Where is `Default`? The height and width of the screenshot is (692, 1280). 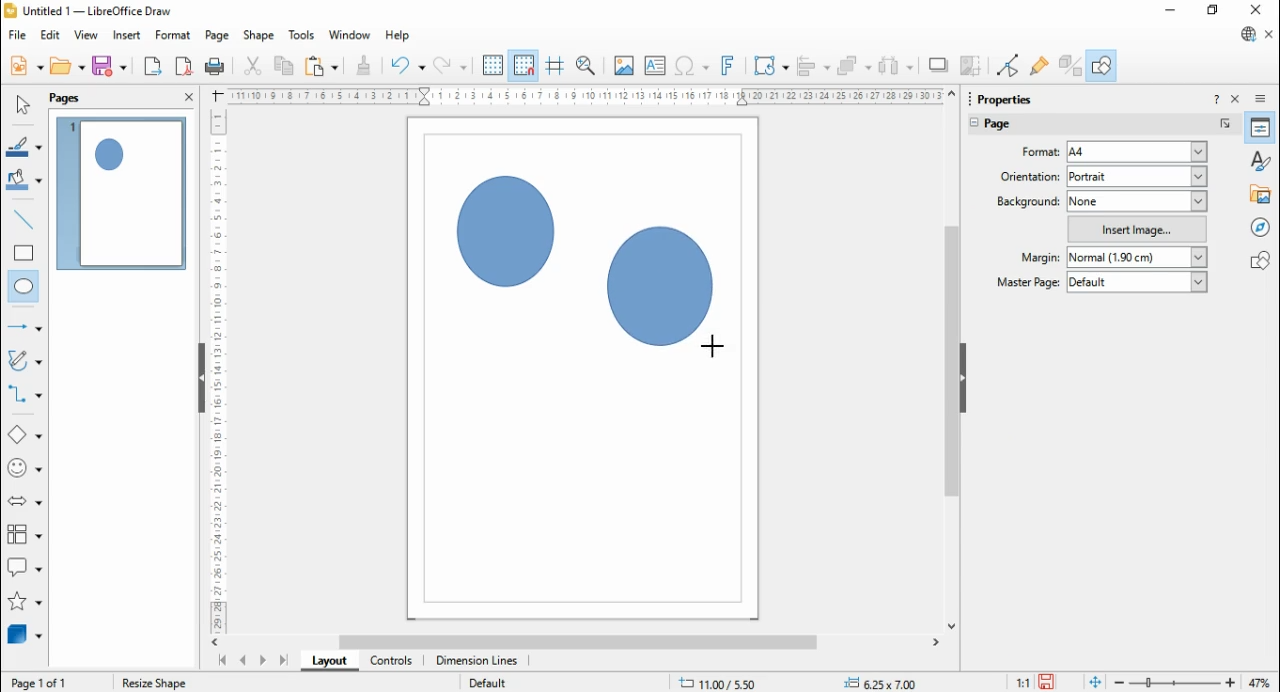
Default is located at coordinates (487, 681).